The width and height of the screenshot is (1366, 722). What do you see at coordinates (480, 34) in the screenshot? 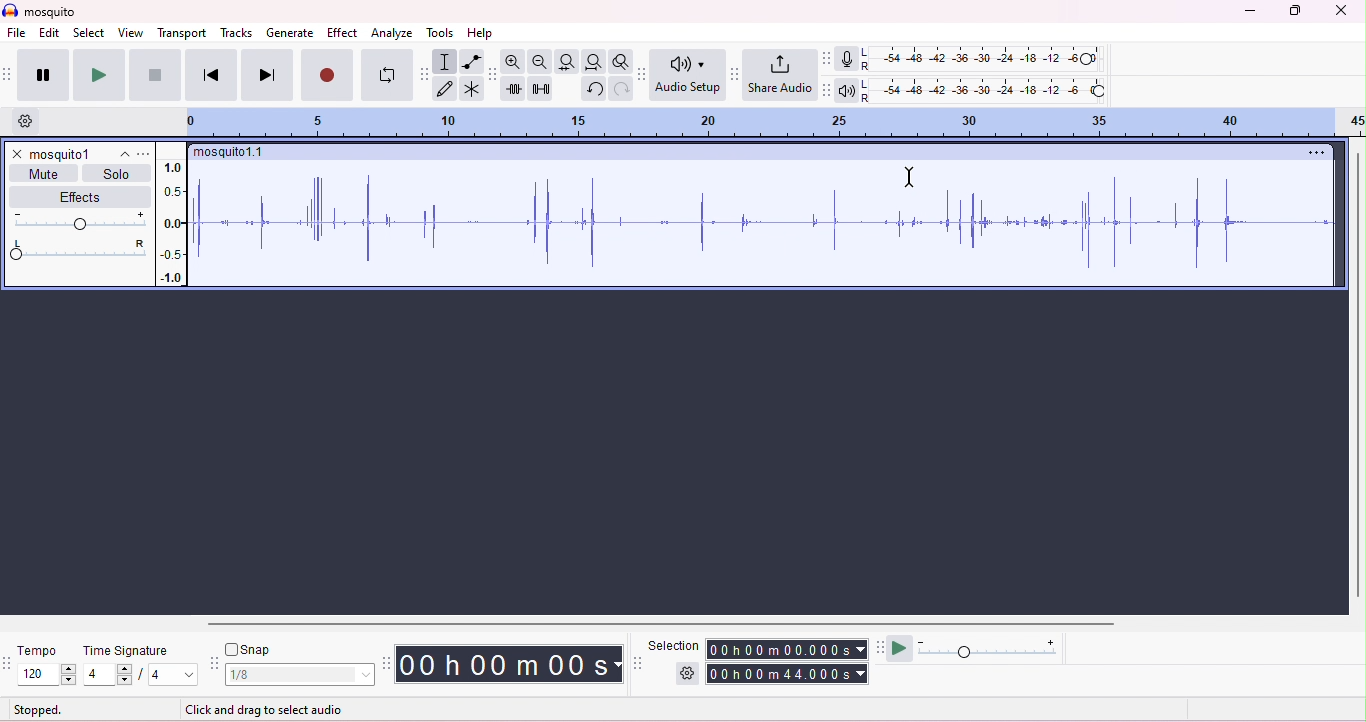
I see `help` at bounding box center [480, 34].